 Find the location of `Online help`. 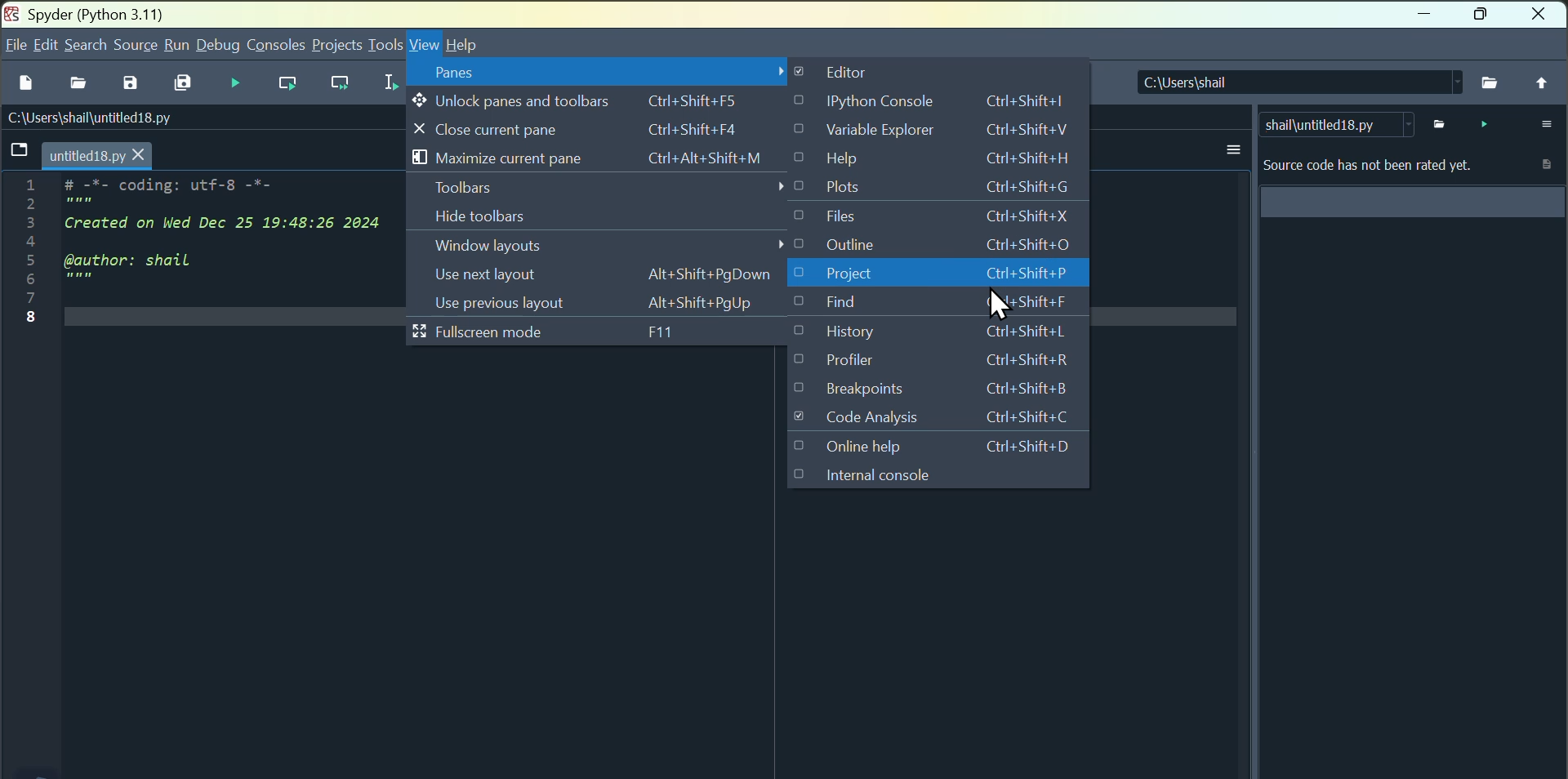

Online help is located at coordinates (929, 448).